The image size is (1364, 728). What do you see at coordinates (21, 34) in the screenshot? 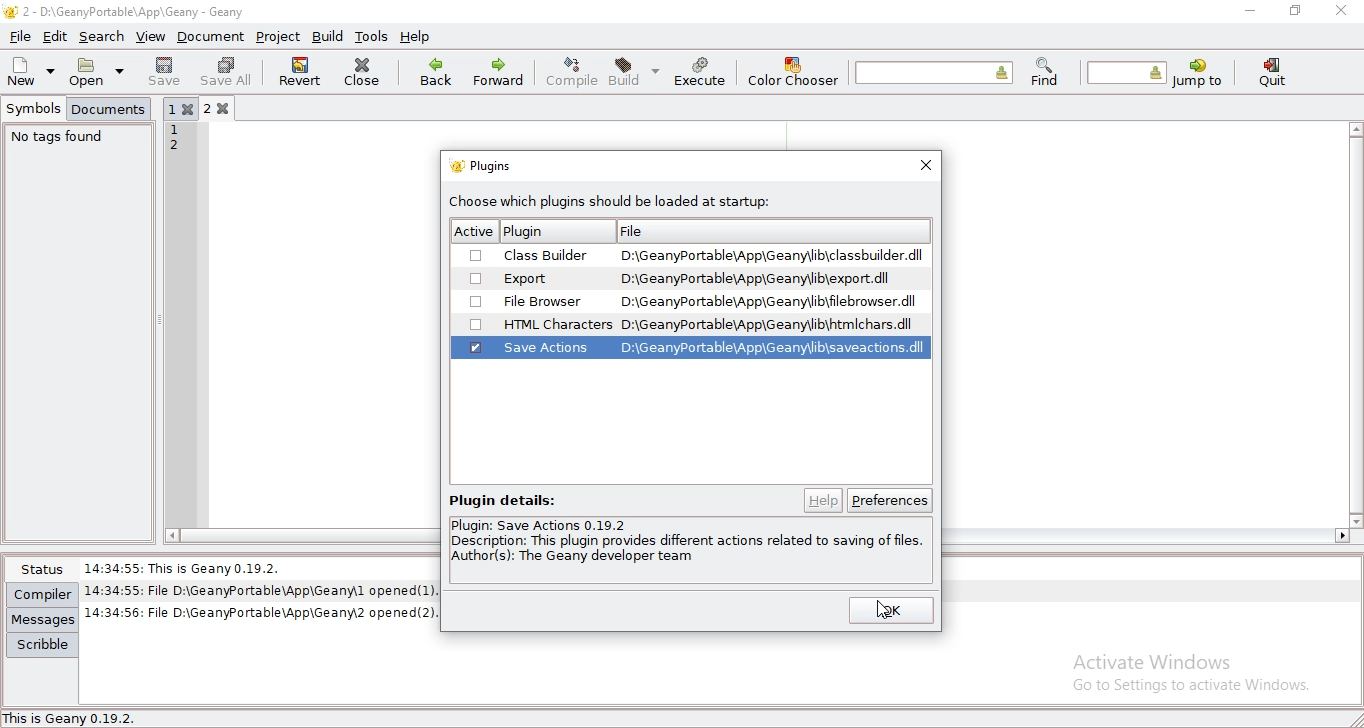
I see `file` at bounding box center [21, 34].